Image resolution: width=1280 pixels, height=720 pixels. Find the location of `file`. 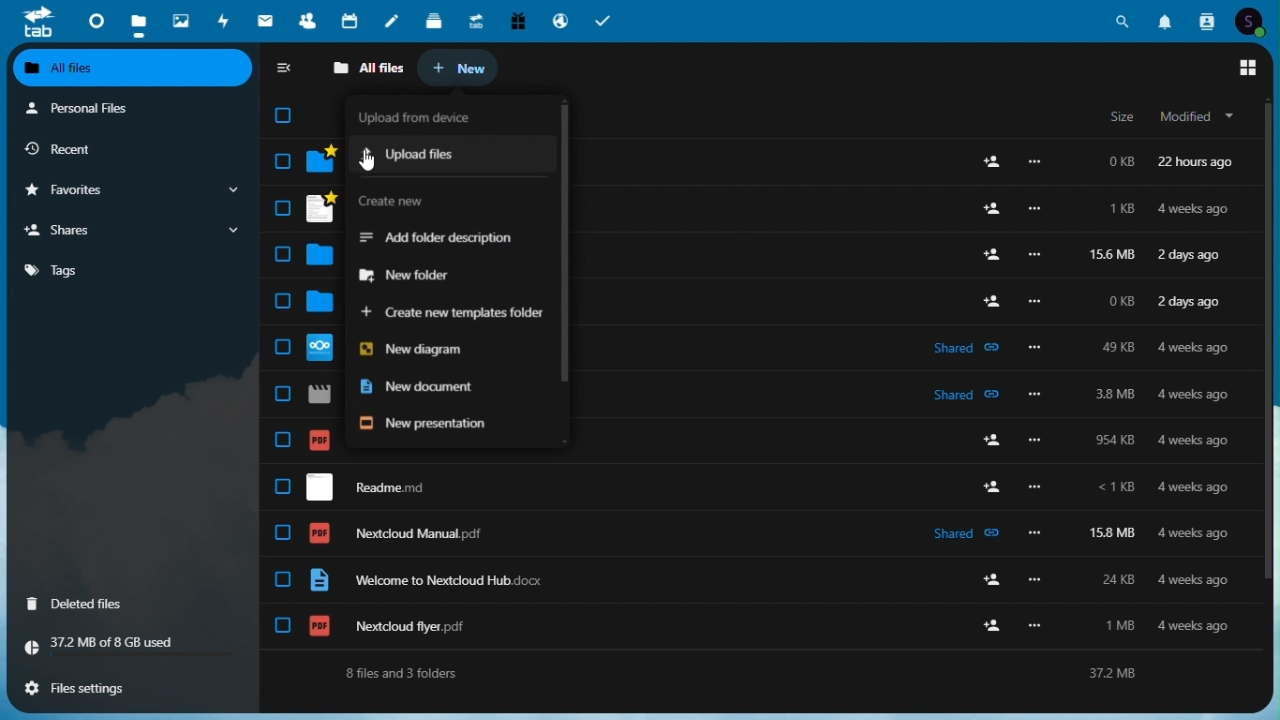

file is located at coordinates (320, 396).